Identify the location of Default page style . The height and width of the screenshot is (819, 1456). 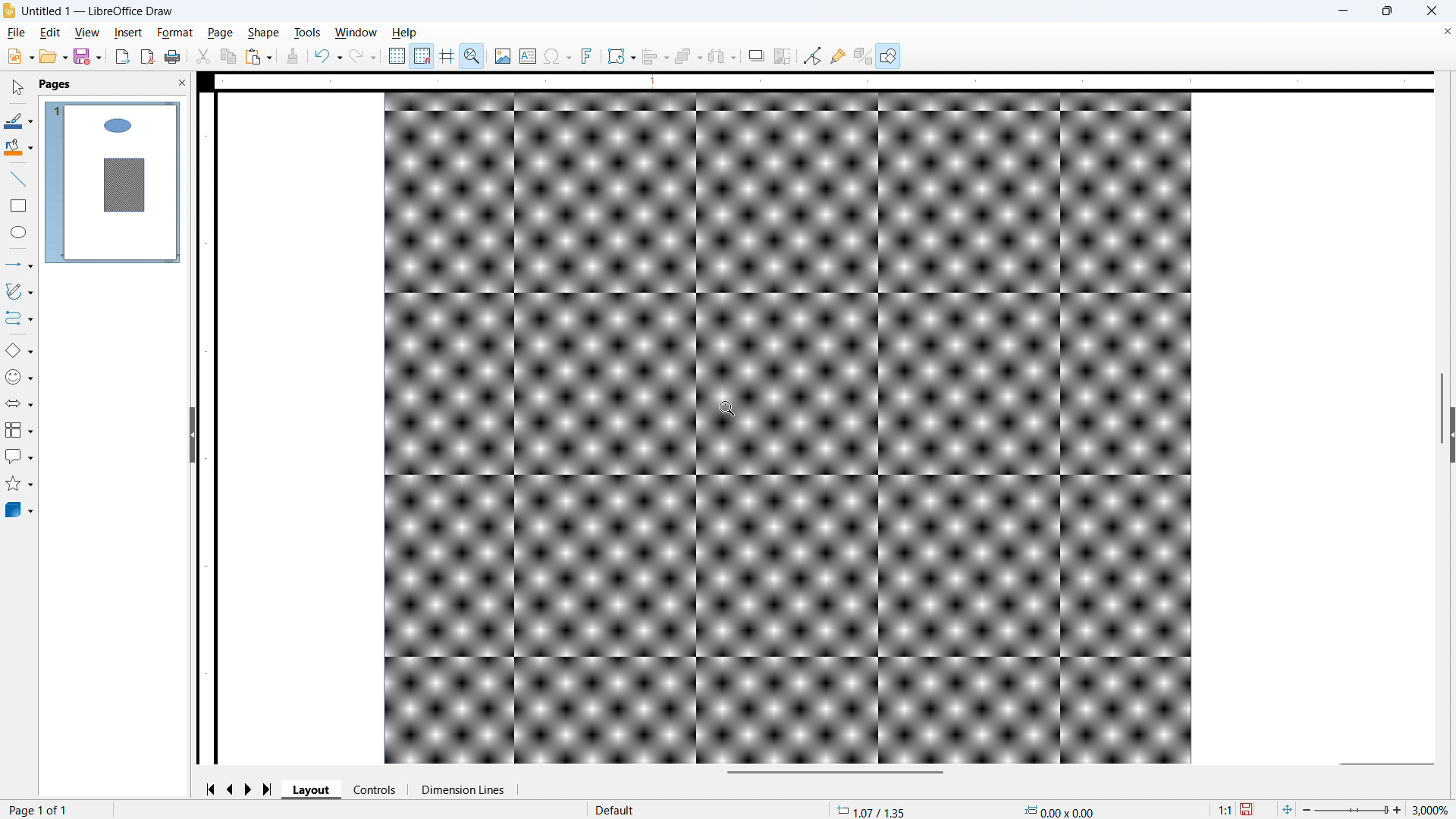
(616, 808).